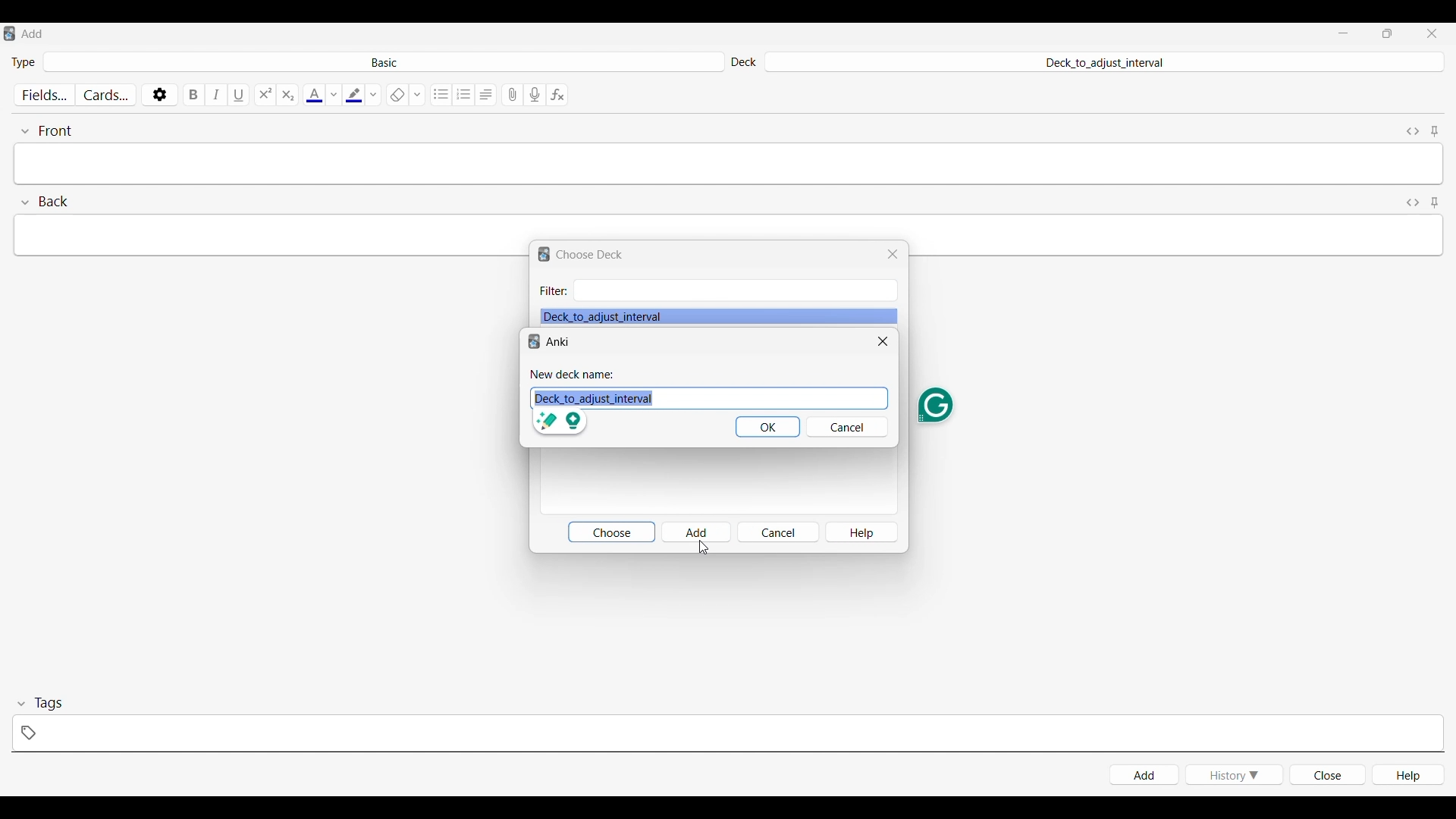 The width and height of the screenshot is (1456, 819). What do you see at coordinates (935, 406) in the screenshot?
I see `Grammarly extension` at bounding box center [935, 406].